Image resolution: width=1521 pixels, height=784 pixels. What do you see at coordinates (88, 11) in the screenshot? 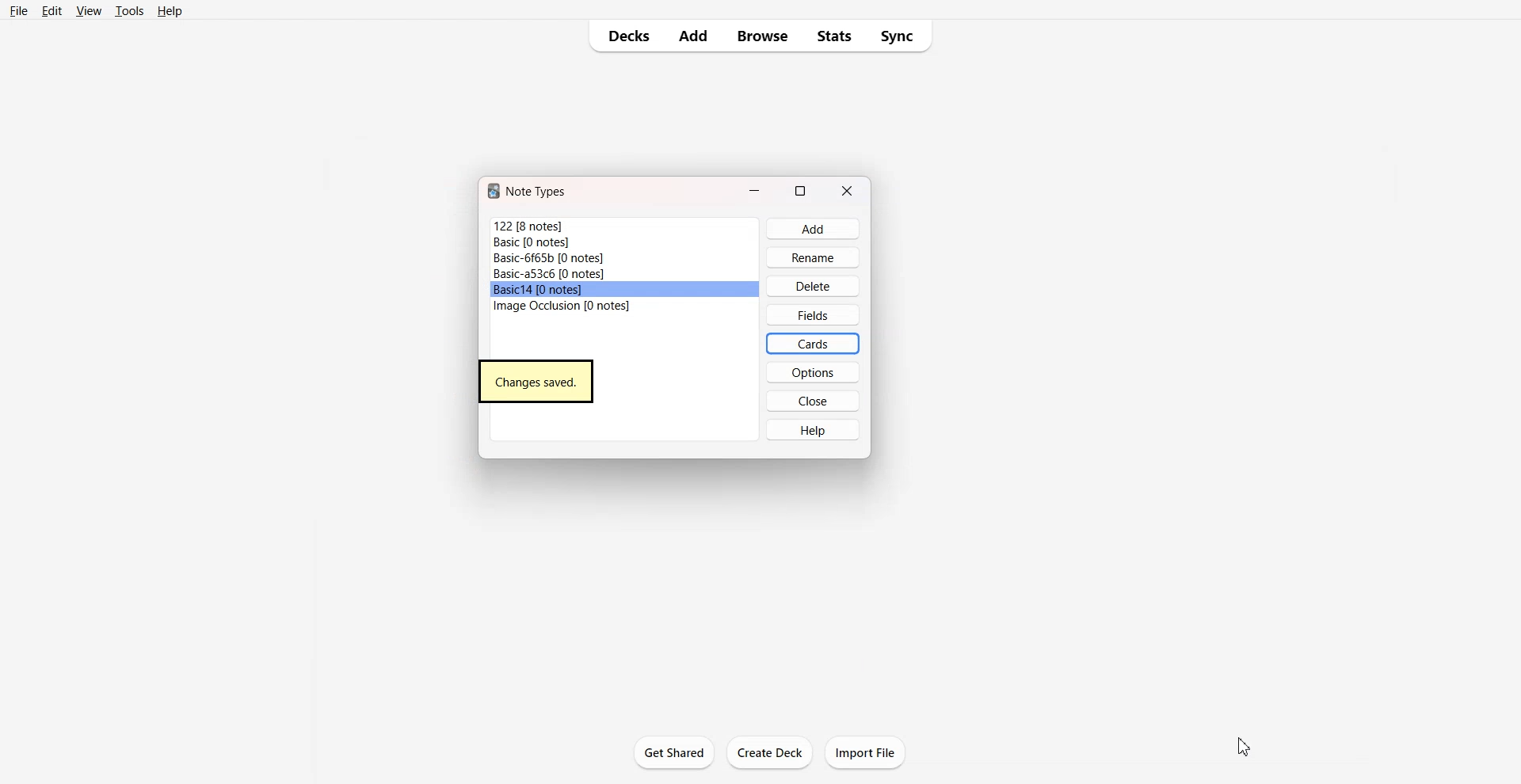
I see `View` at bounding box center [88, 11].